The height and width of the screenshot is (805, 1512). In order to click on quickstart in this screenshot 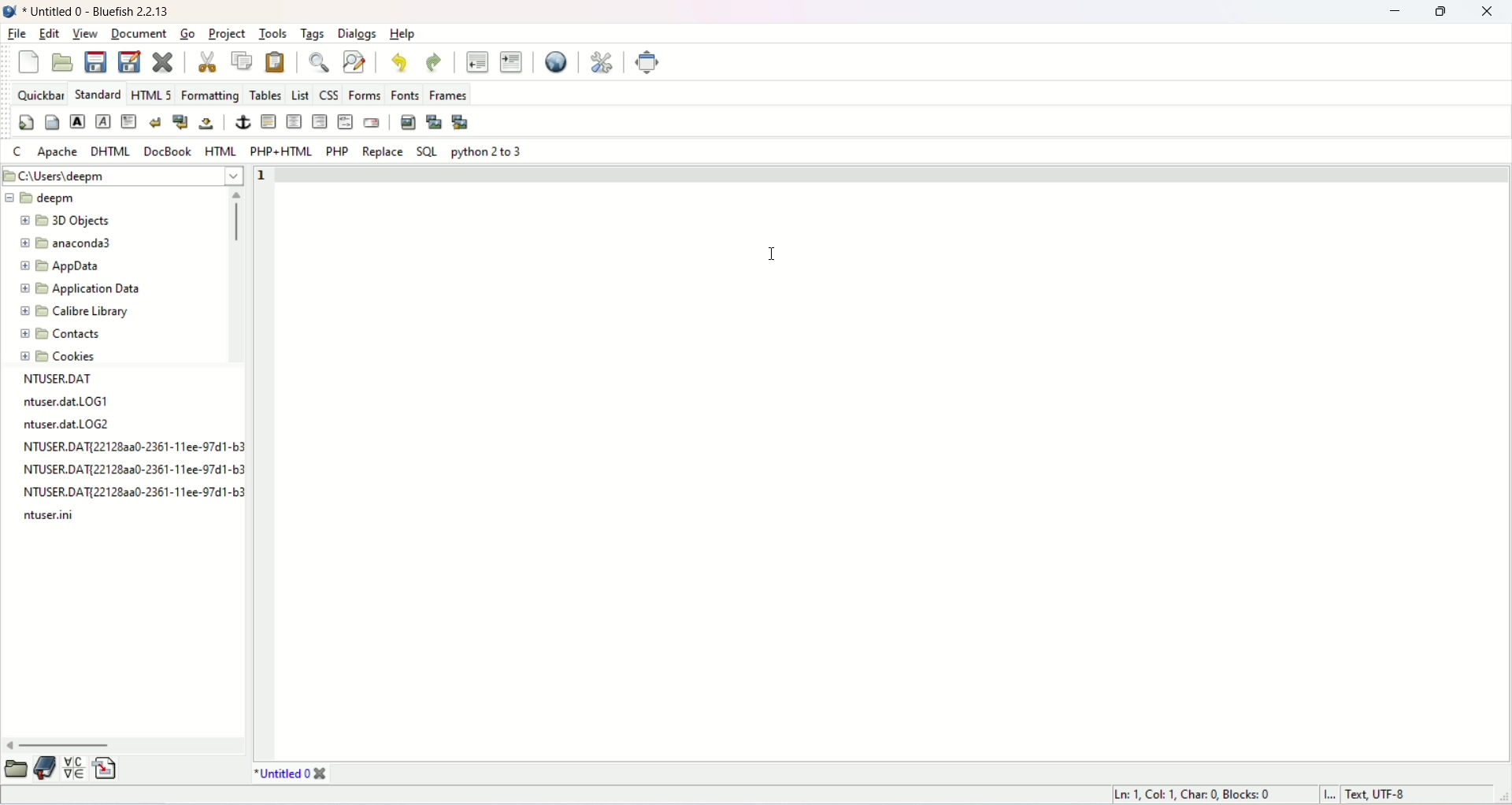, I will do `click(30, 64)`.